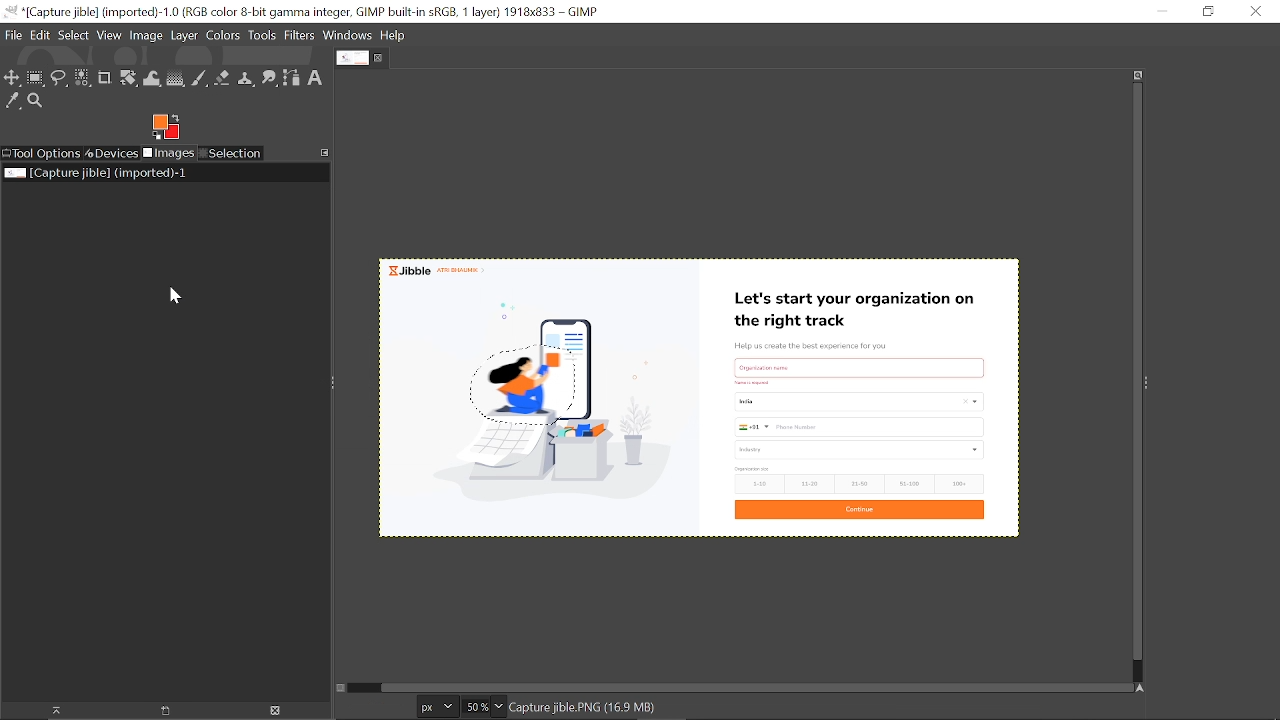 This screenshot has height=720, width=1280. What do you see at coordinates (304, 12) in the screenshot?
I see `Current window` at bounding box center [304, 12].